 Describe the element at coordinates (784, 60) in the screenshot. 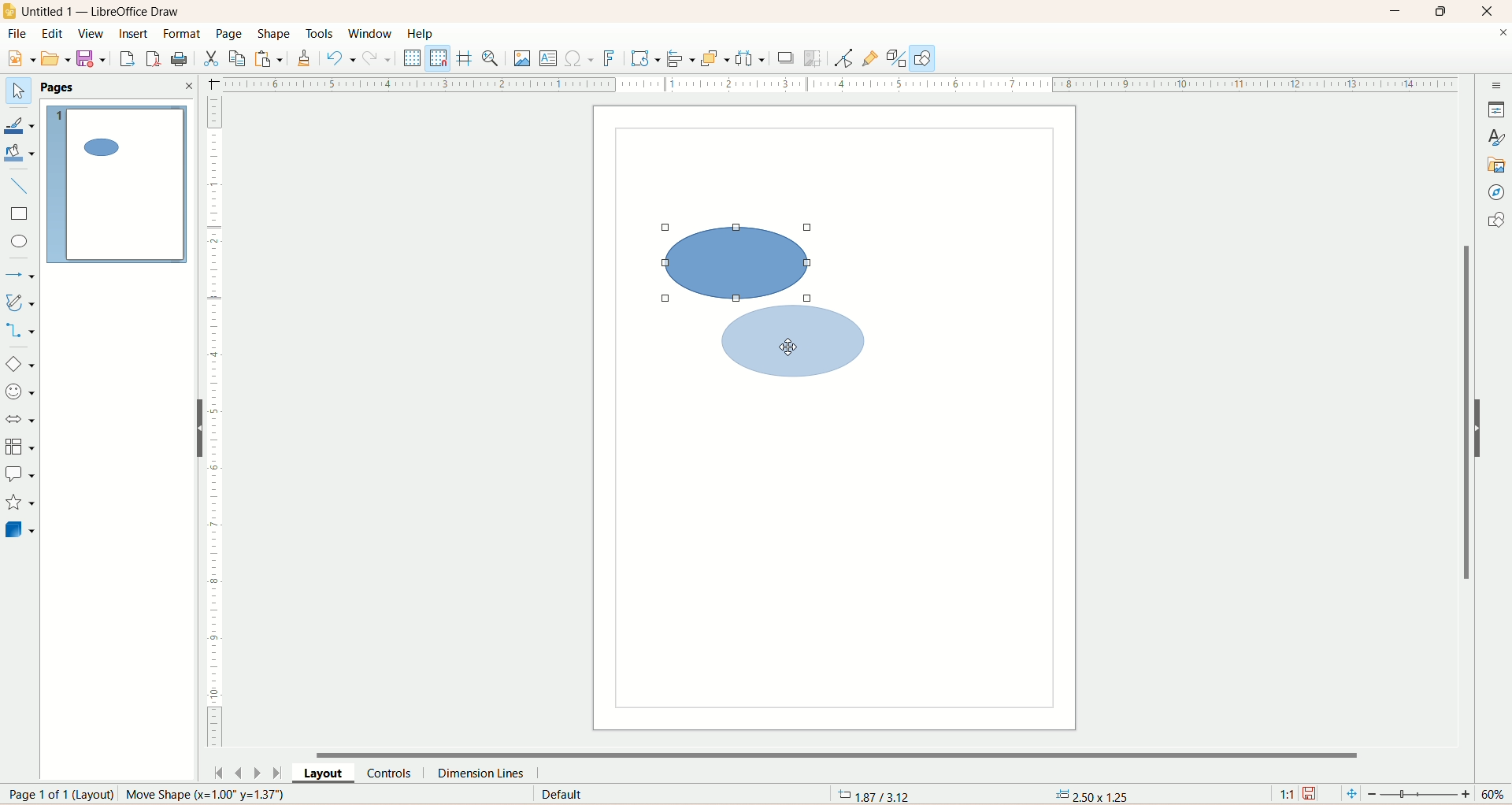

I see `shadow` at that location.